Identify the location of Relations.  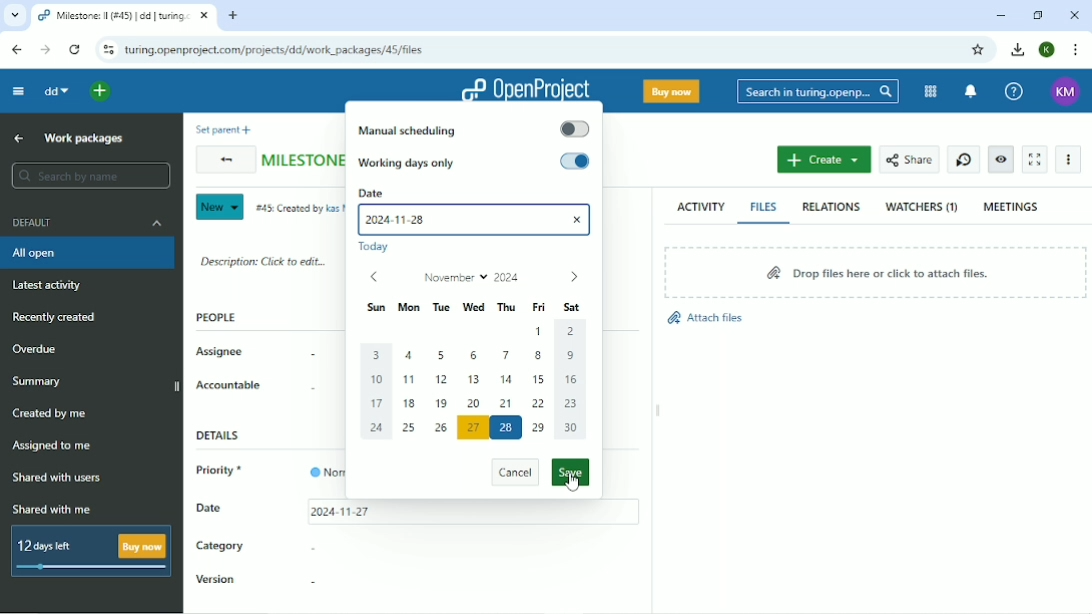
(831, 207).